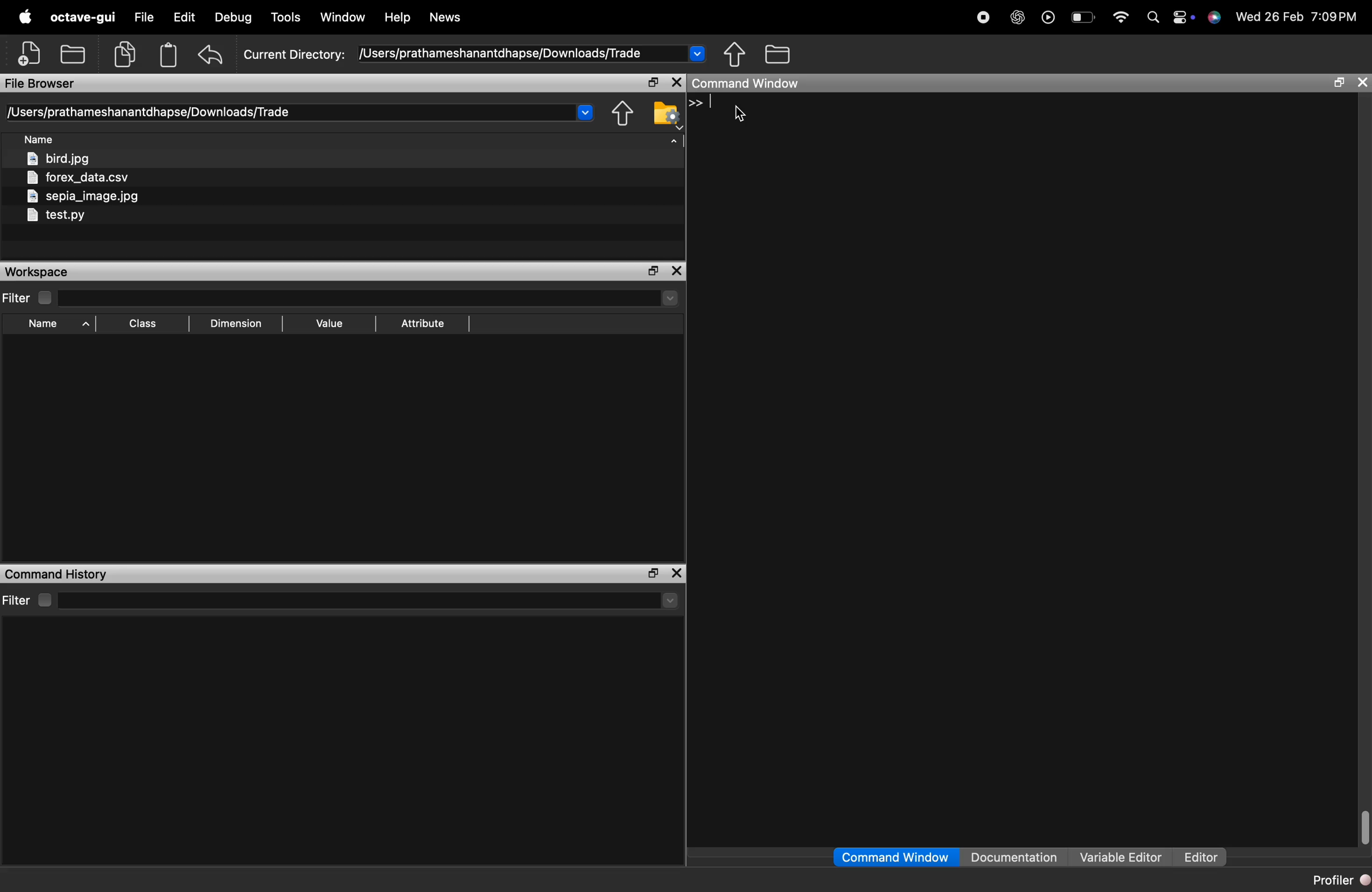  What do you see at coordinates (666, 113) in the screenshot?
I see `browse your file` at bounding box center [666, 113].